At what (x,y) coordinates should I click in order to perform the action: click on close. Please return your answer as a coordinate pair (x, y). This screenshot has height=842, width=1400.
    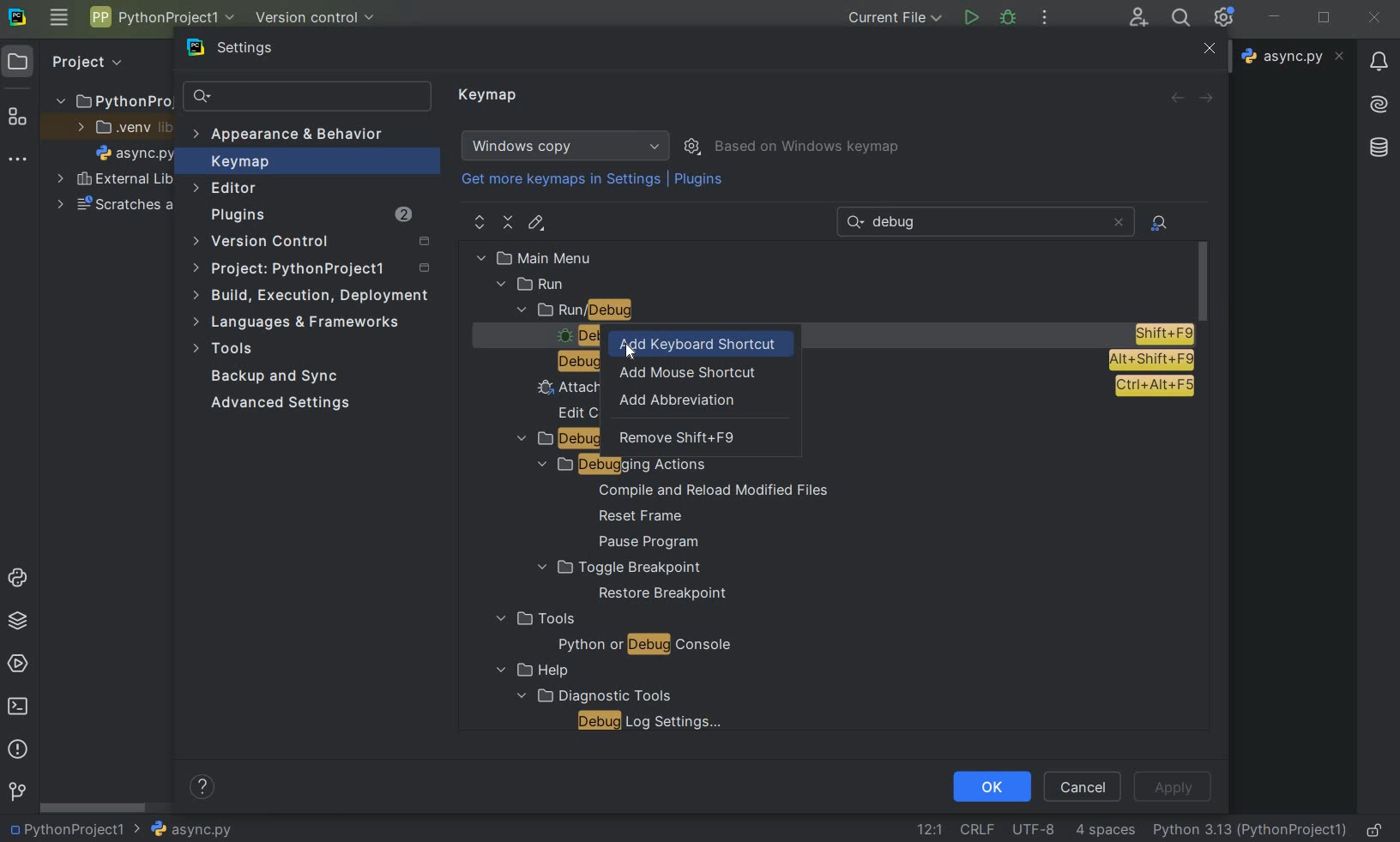
    Looking at the image, I should click on (1374, 18).